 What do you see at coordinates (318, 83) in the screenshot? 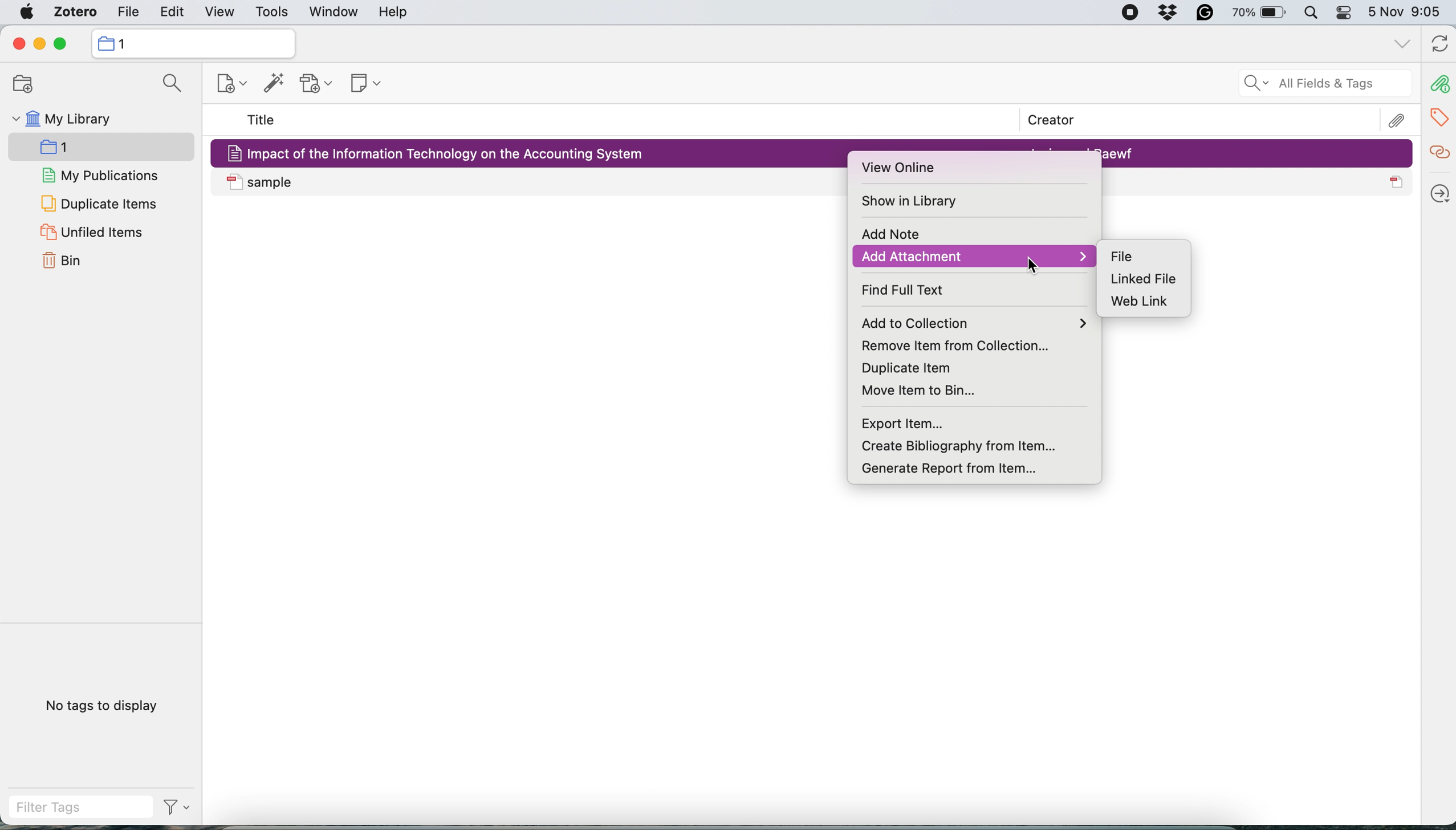
I see `new attachment` at bounding box center [318, 83].